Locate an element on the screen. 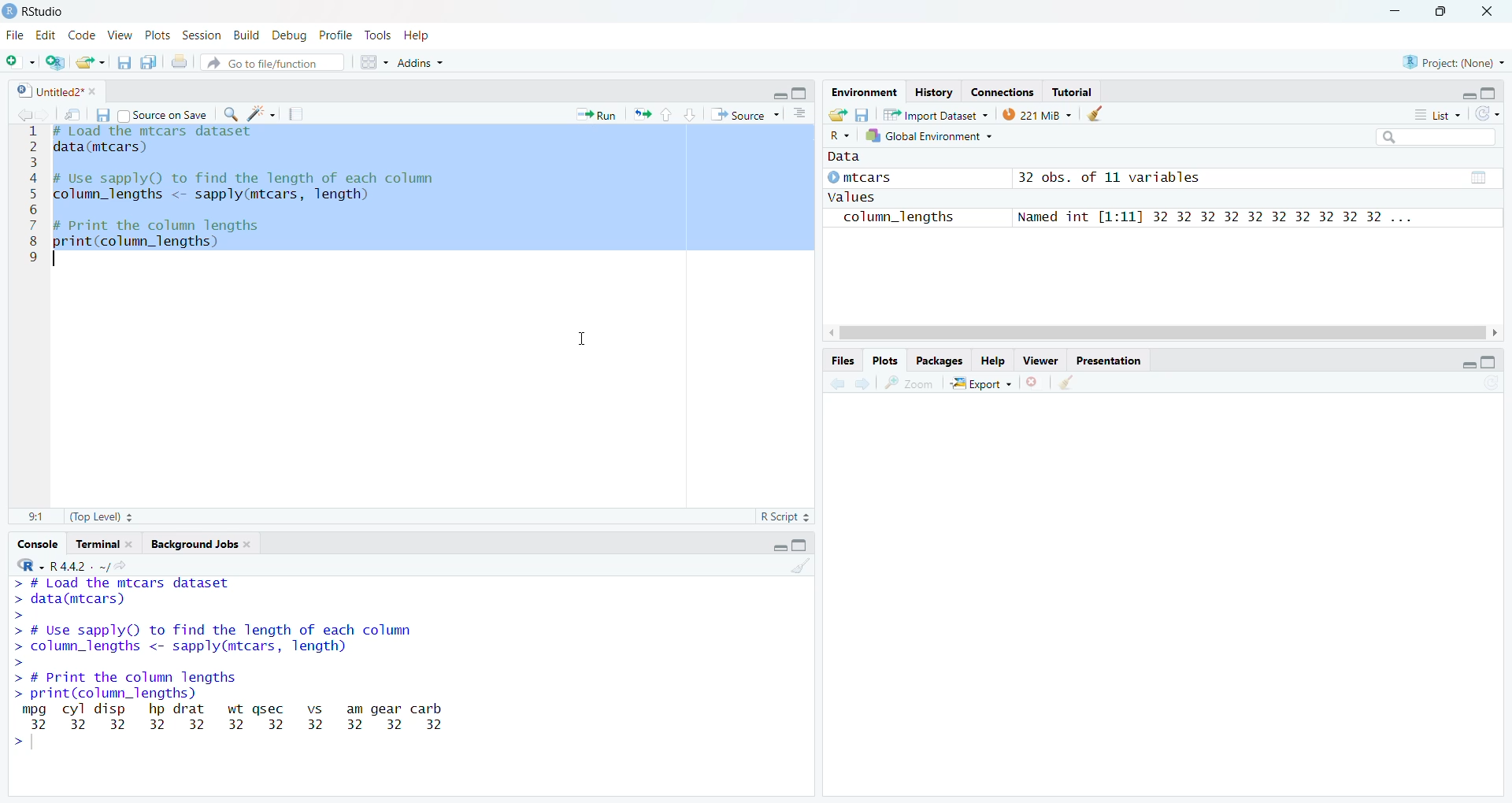 The width and height of the screenshot is (1512, 803). Show document outline is located at coordinates (802, 114).